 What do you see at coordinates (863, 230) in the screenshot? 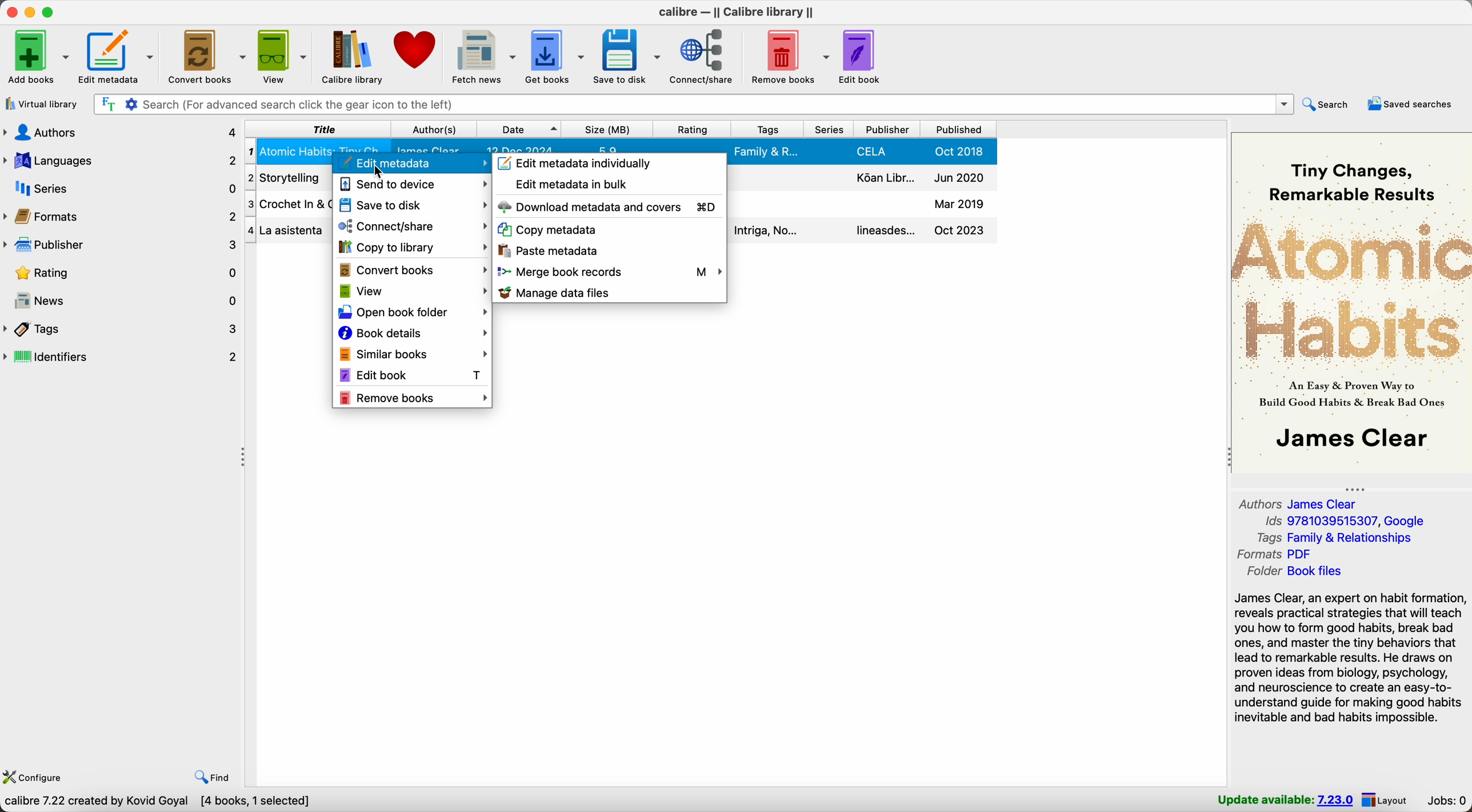
I see `la asistenta book details` at bounding box center [863, 230].